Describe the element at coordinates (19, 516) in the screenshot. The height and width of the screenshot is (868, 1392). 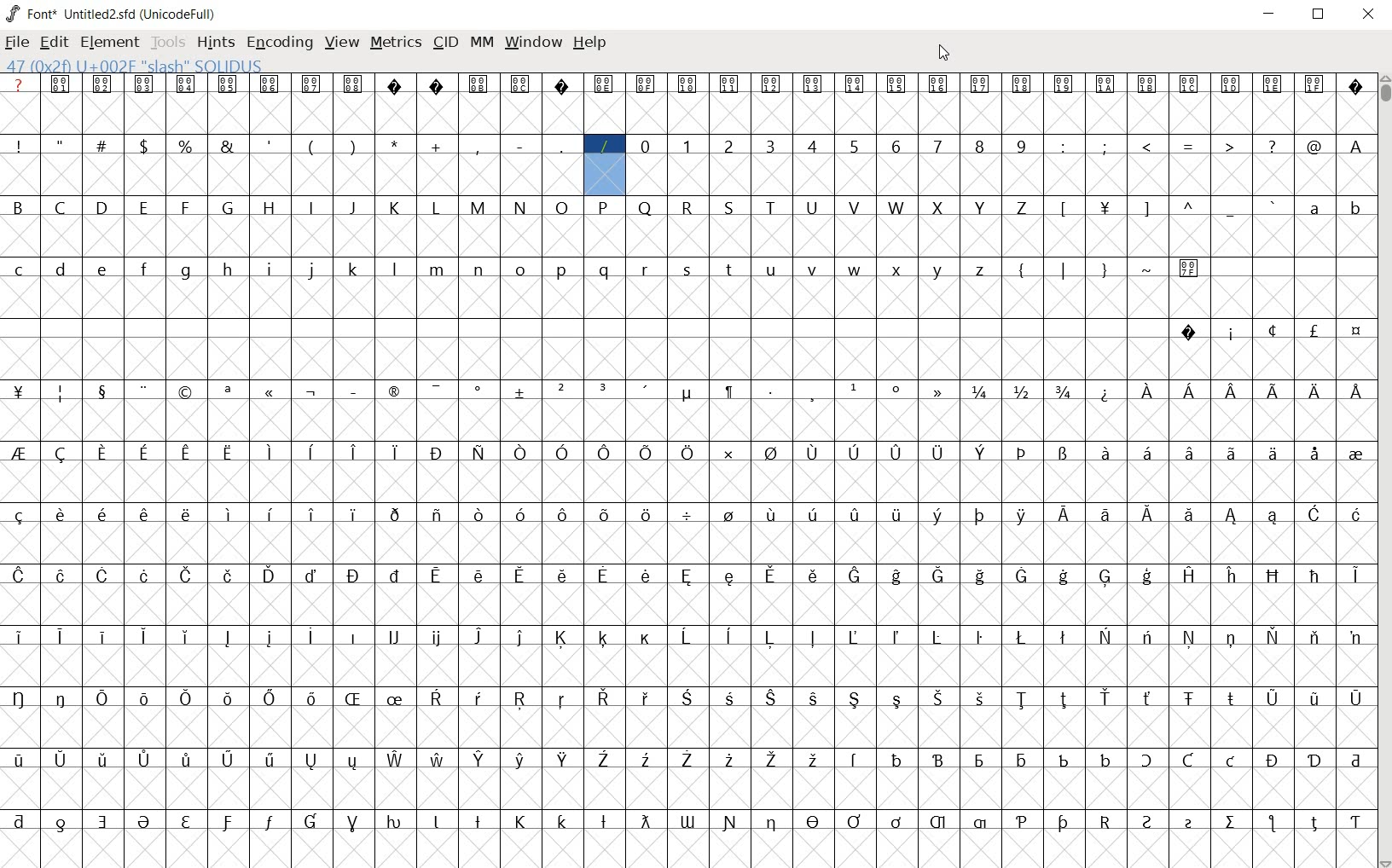
I see `glyph` at that location.